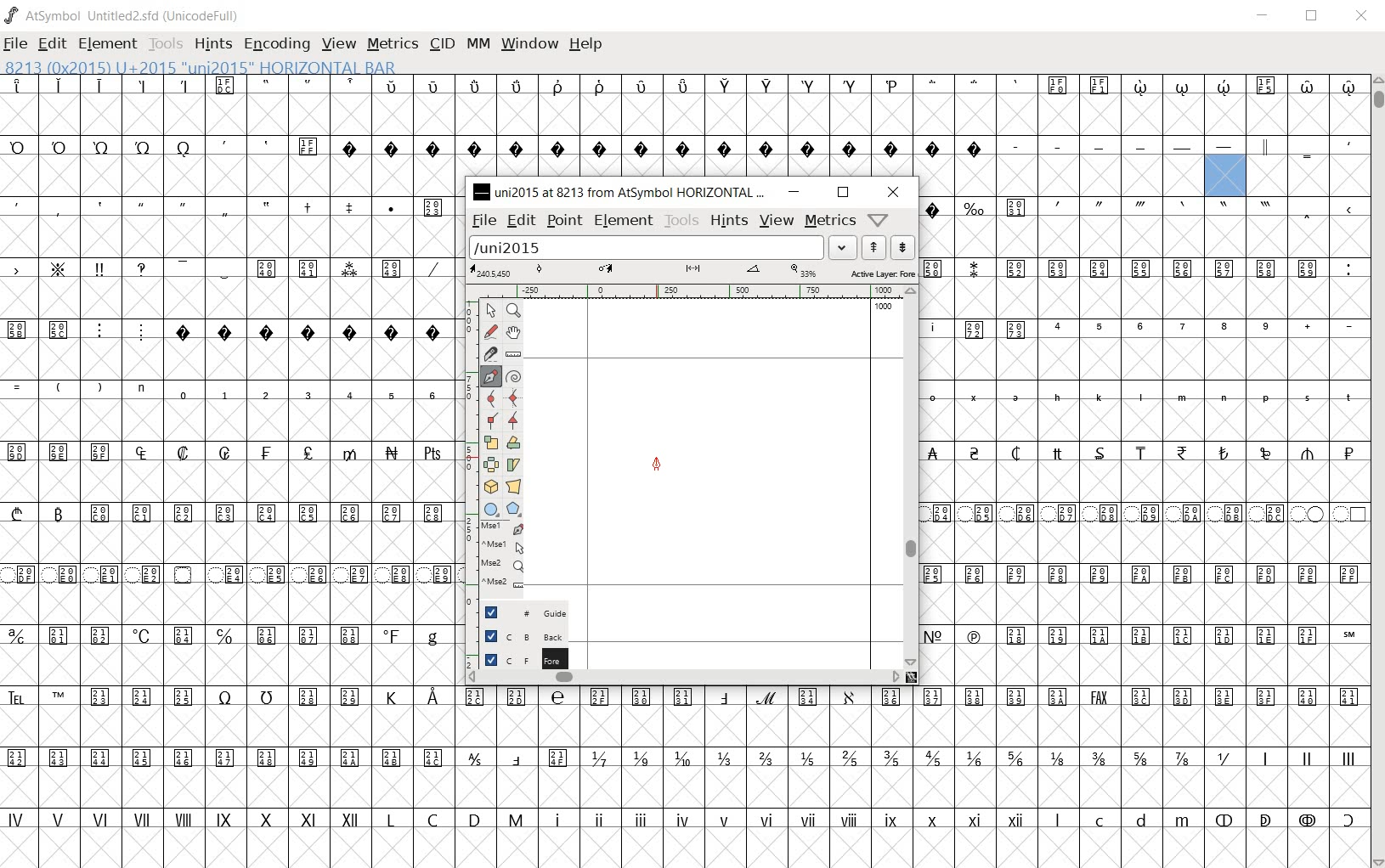  What do you see at coordinates (489, 509) in the screenshot?
I see `rectangle or ellipse` at bounding box center [489, 509].